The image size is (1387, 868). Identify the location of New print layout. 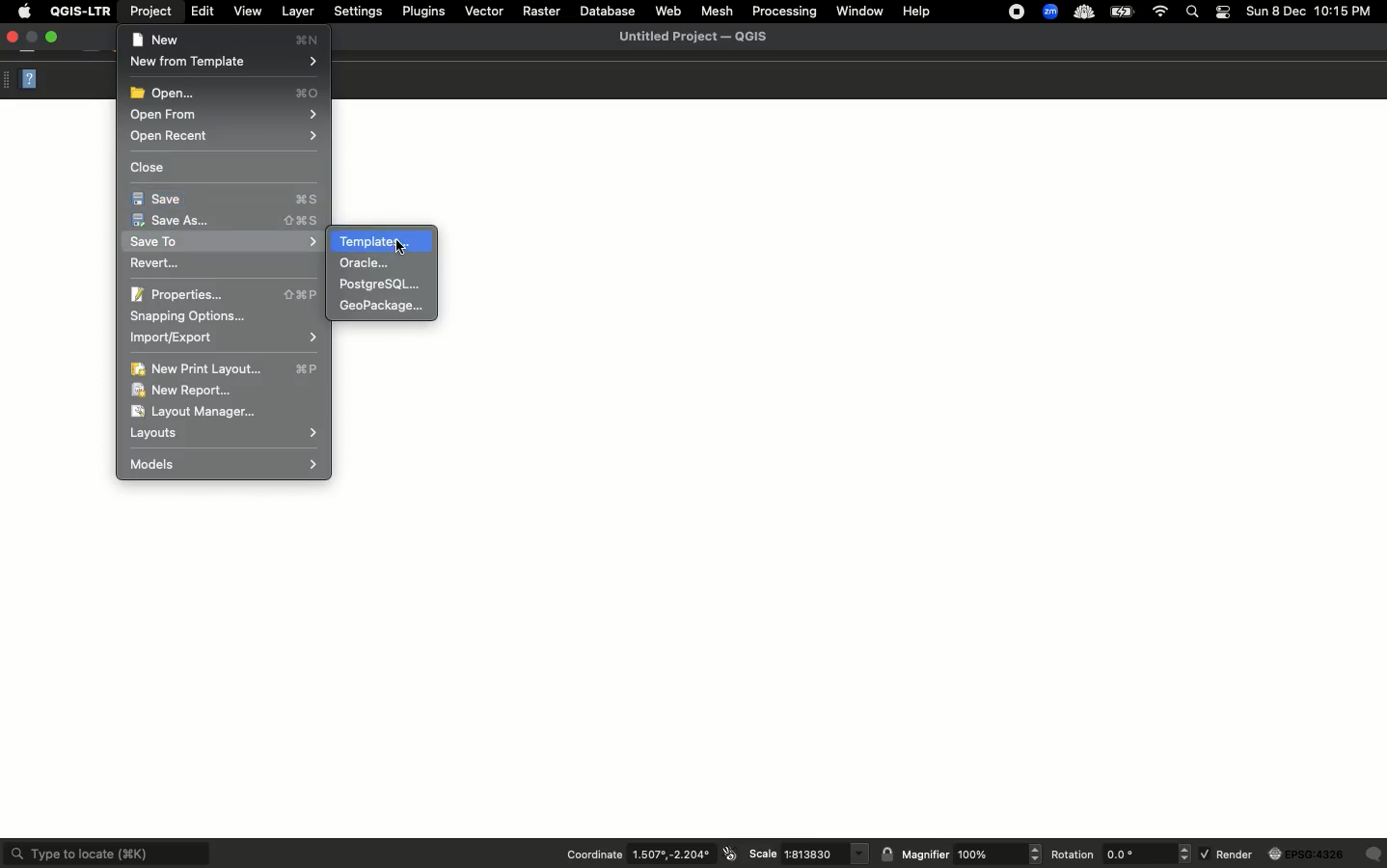
(226, 368).